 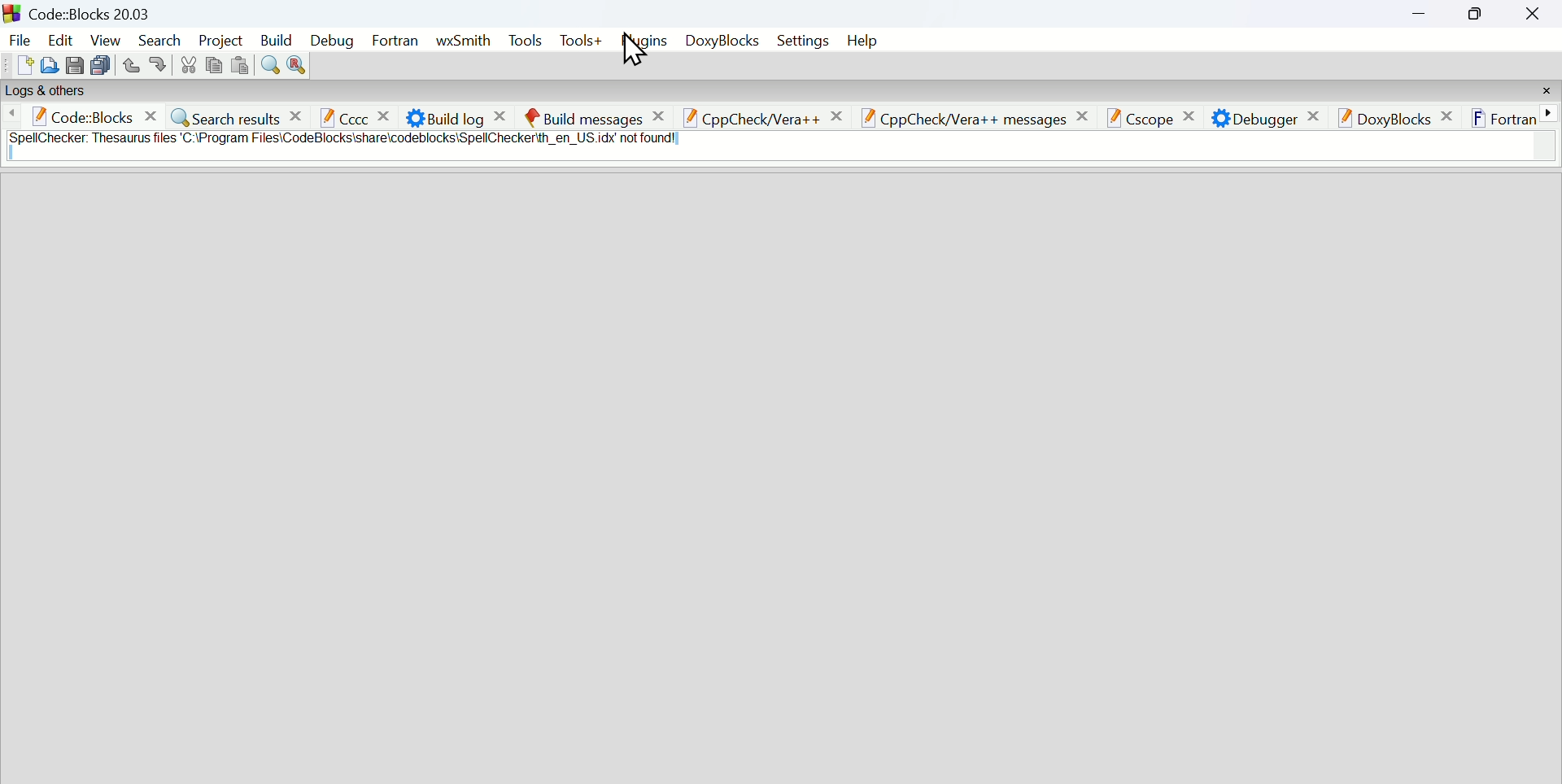 What do you see at coordinates (1551, 112) in the screenshot?
I see `Move right` at bounding box center [1551, 112].